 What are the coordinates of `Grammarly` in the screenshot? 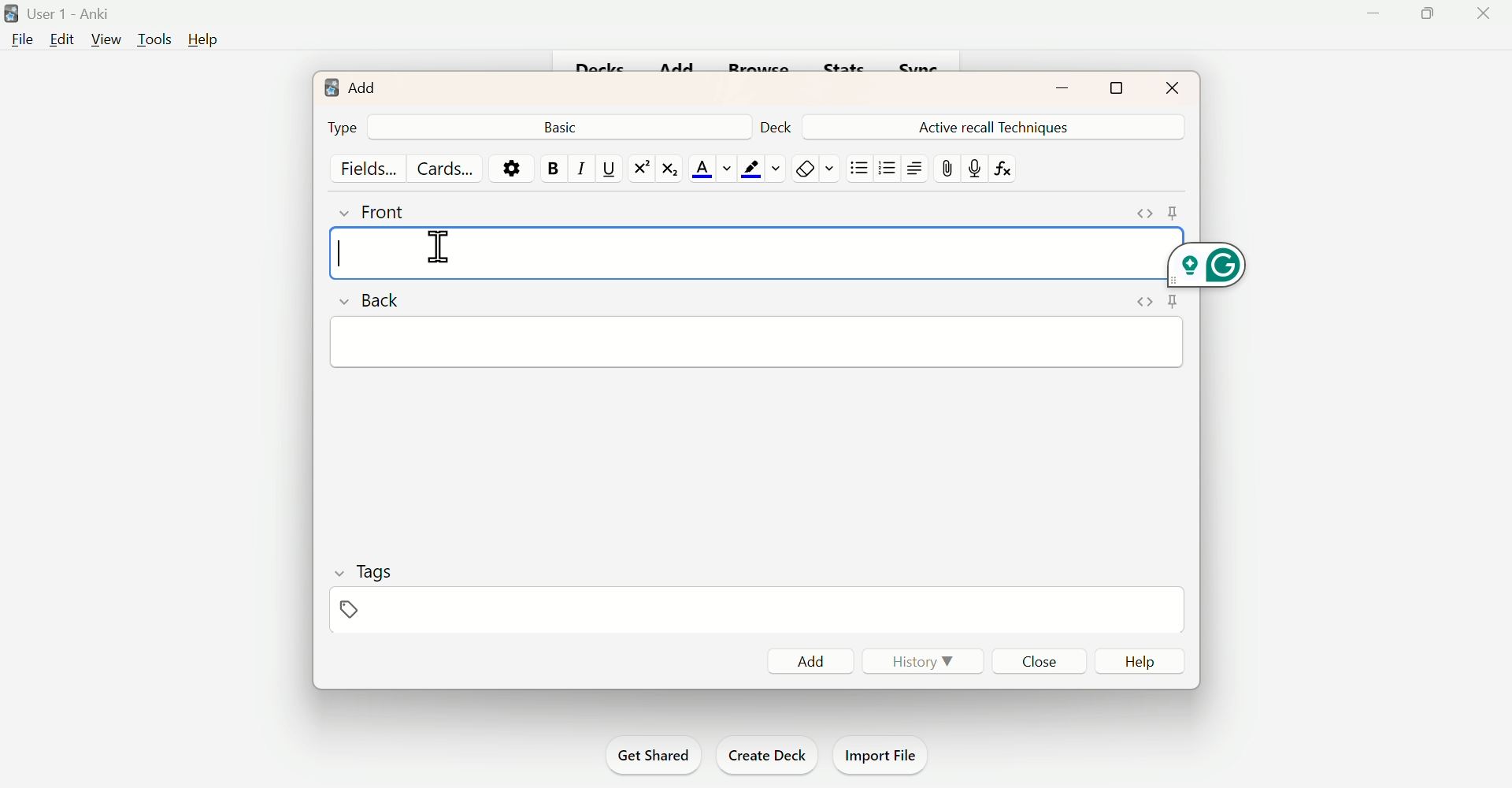 It's located at (1207, 264).